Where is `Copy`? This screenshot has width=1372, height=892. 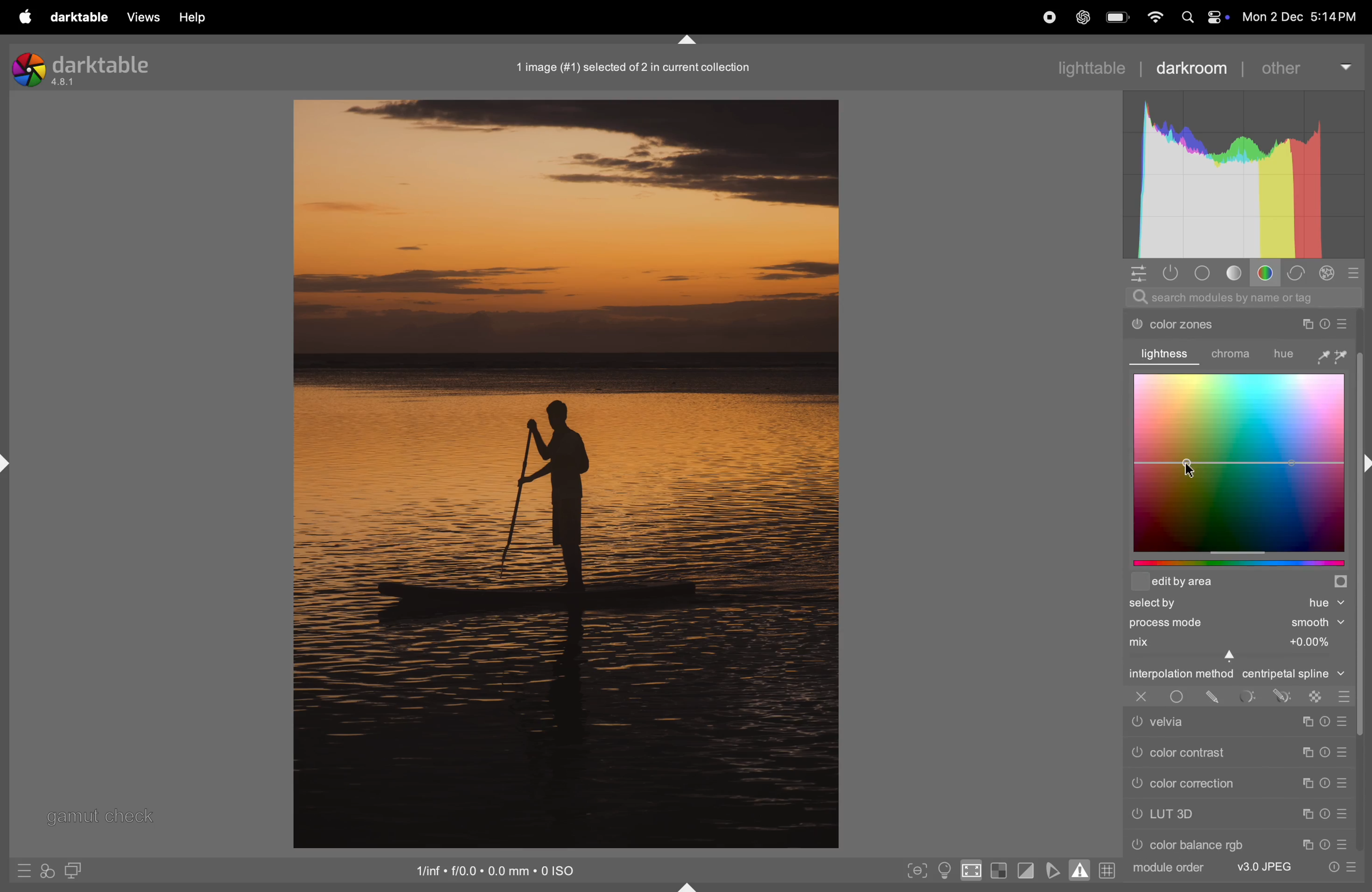
Copy is located at coordinates (1308, 814).